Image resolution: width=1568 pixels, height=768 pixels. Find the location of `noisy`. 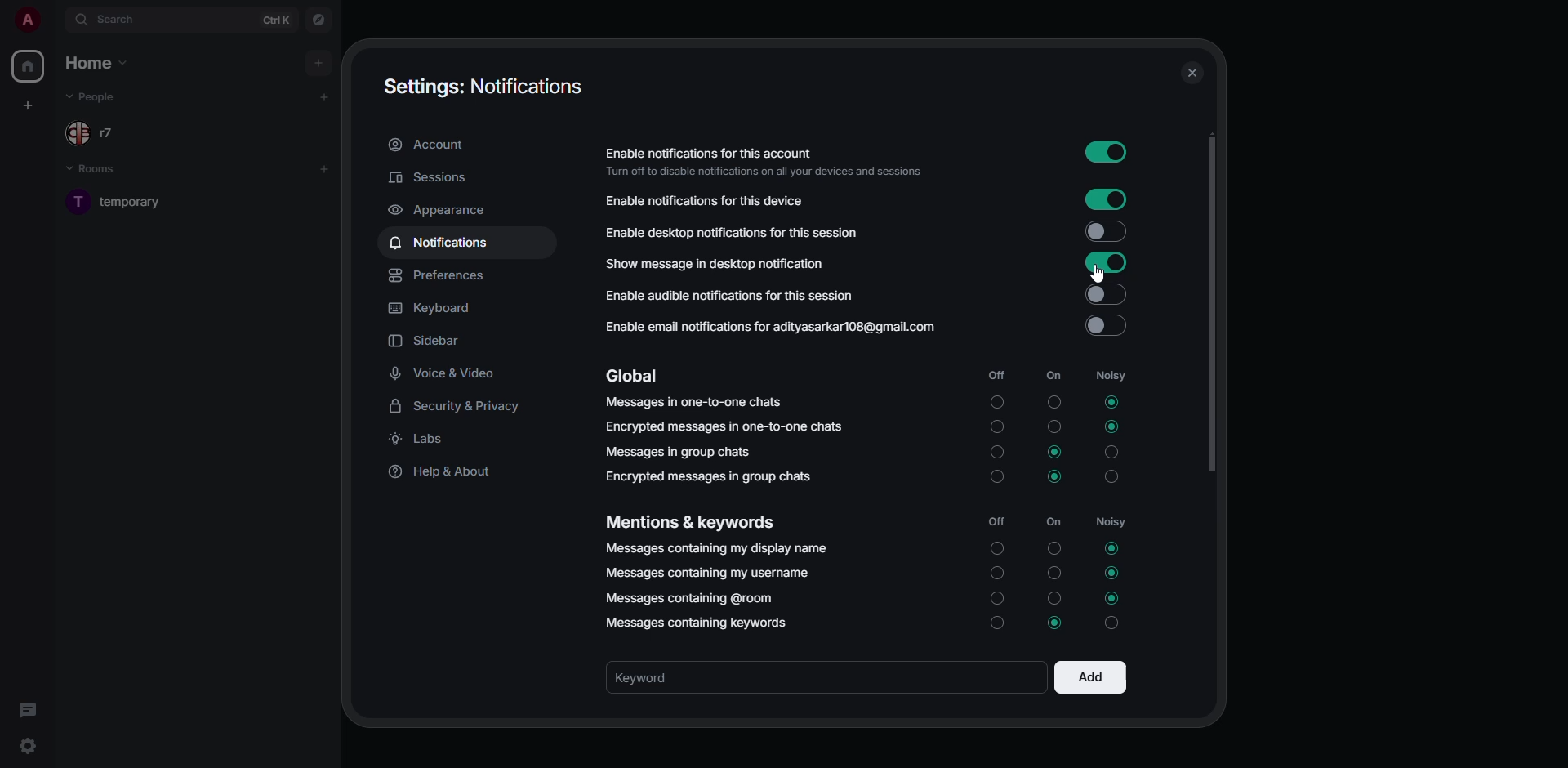

noisy is located at coordinates (1117, 377).